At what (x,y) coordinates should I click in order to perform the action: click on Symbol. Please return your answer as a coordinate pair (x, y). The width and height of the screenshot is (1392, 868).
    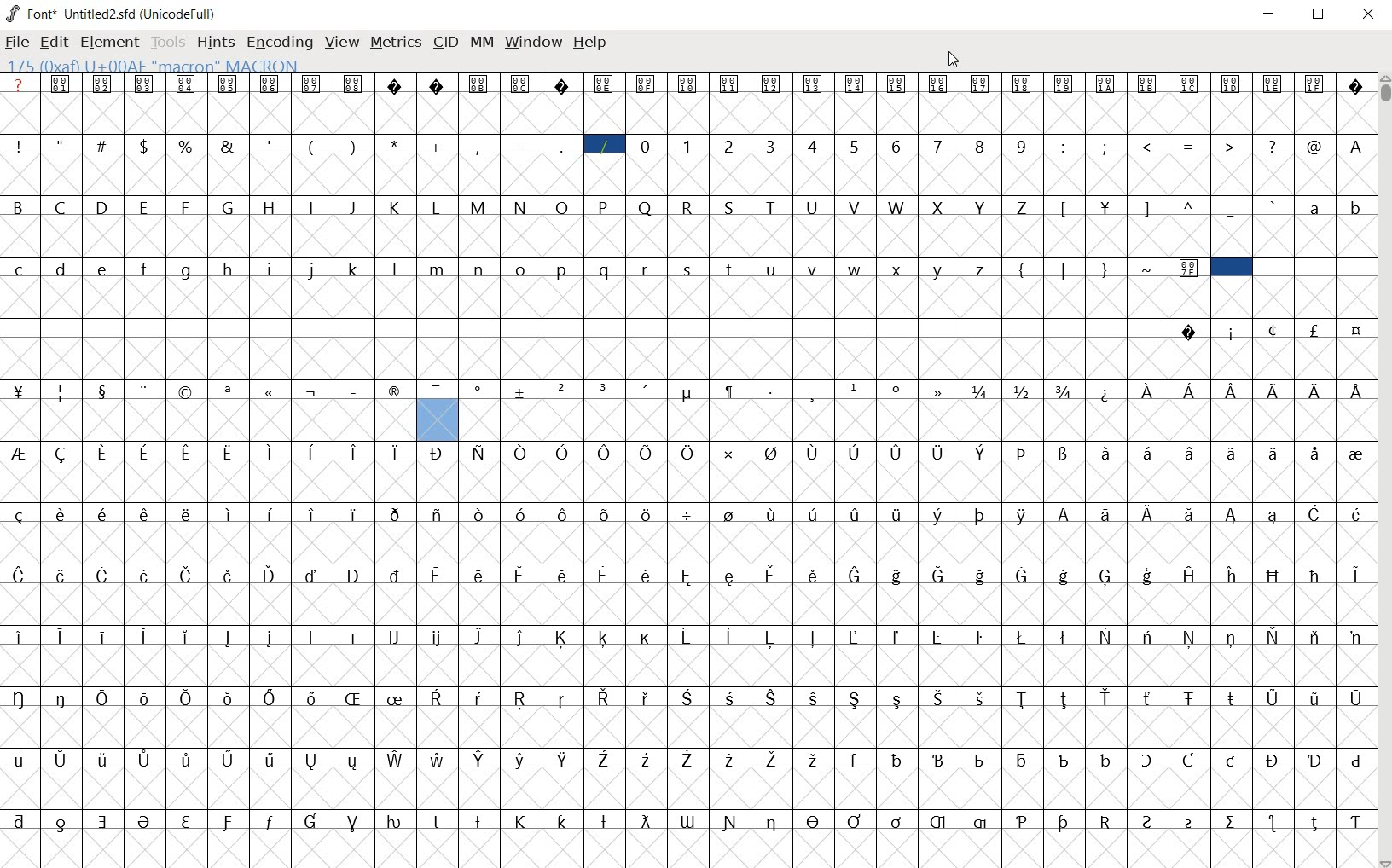
    Looking at the image, I should click on (815, 820).